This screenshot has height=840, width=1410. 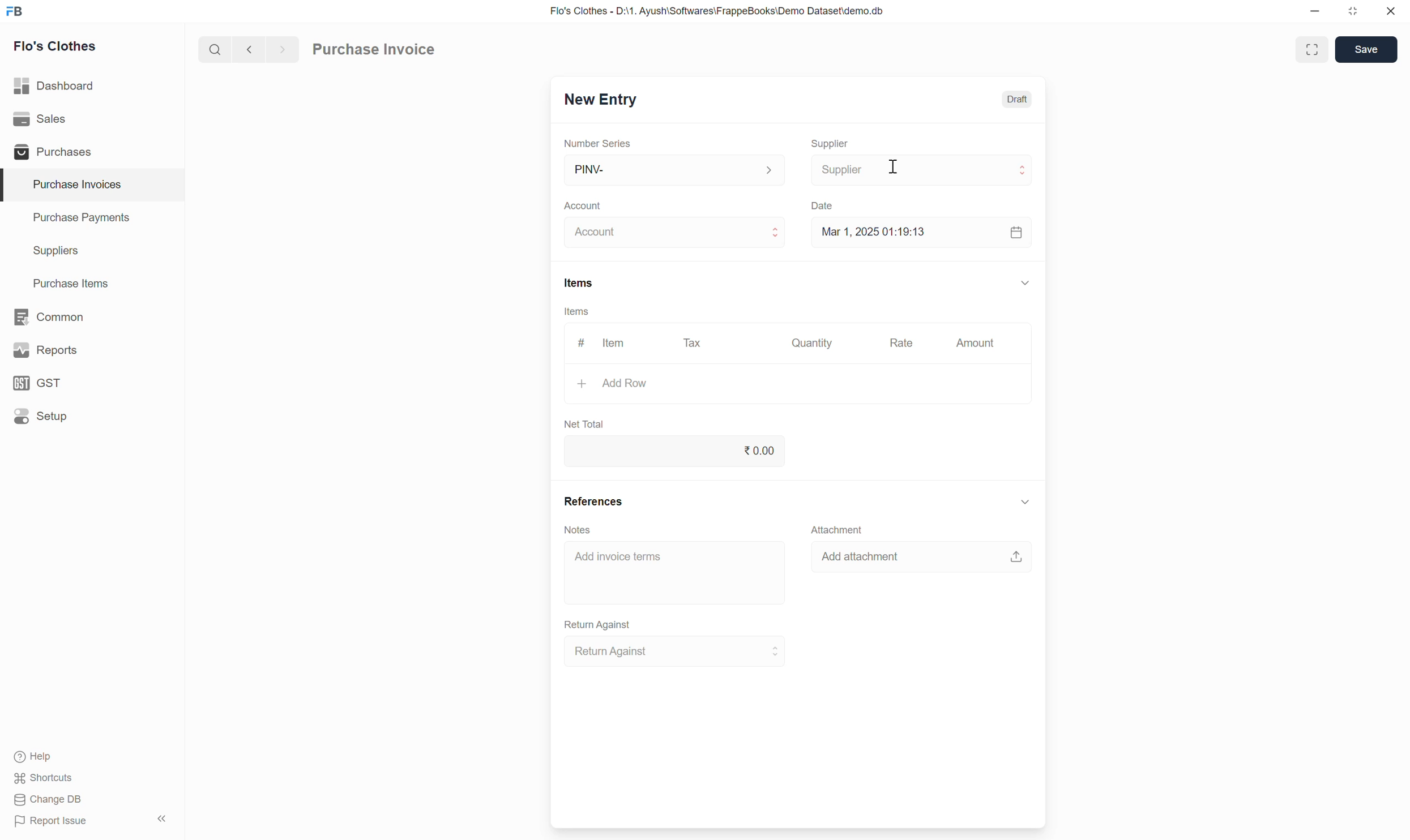 I want to click on search, so click(x=213, y=47).